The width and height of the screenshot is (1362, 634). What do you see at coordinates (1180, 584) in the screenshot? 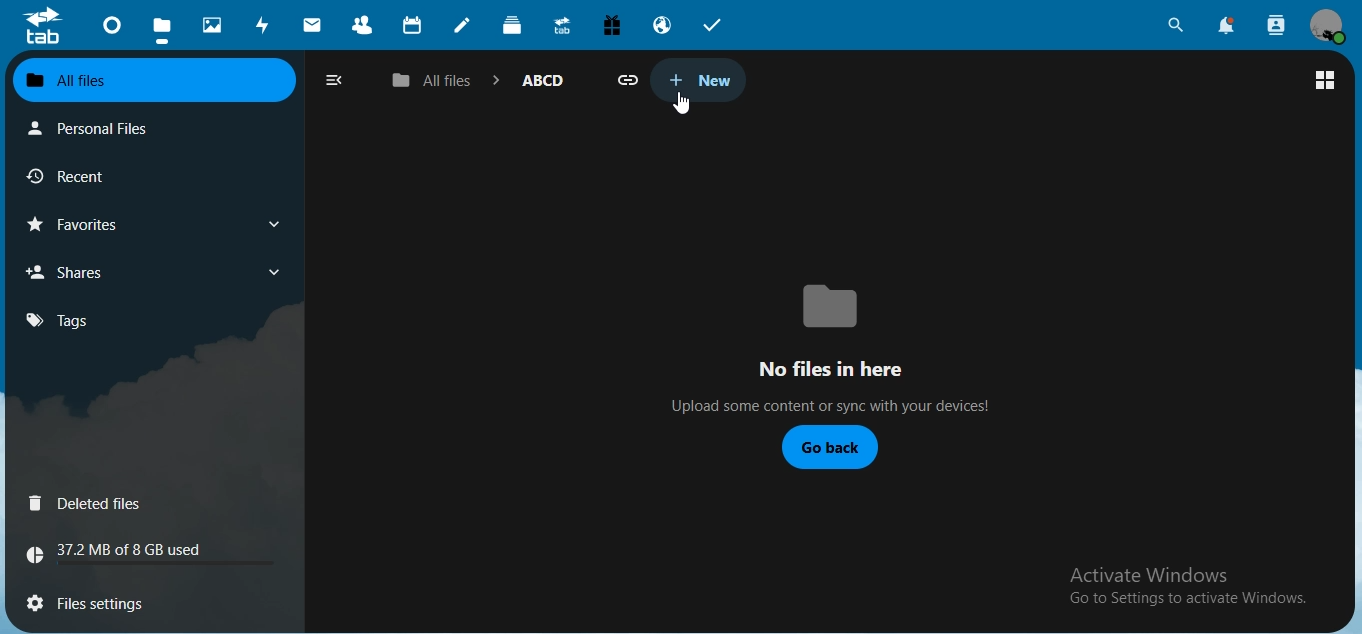
I see `text` at bounding box center [1180, 584].